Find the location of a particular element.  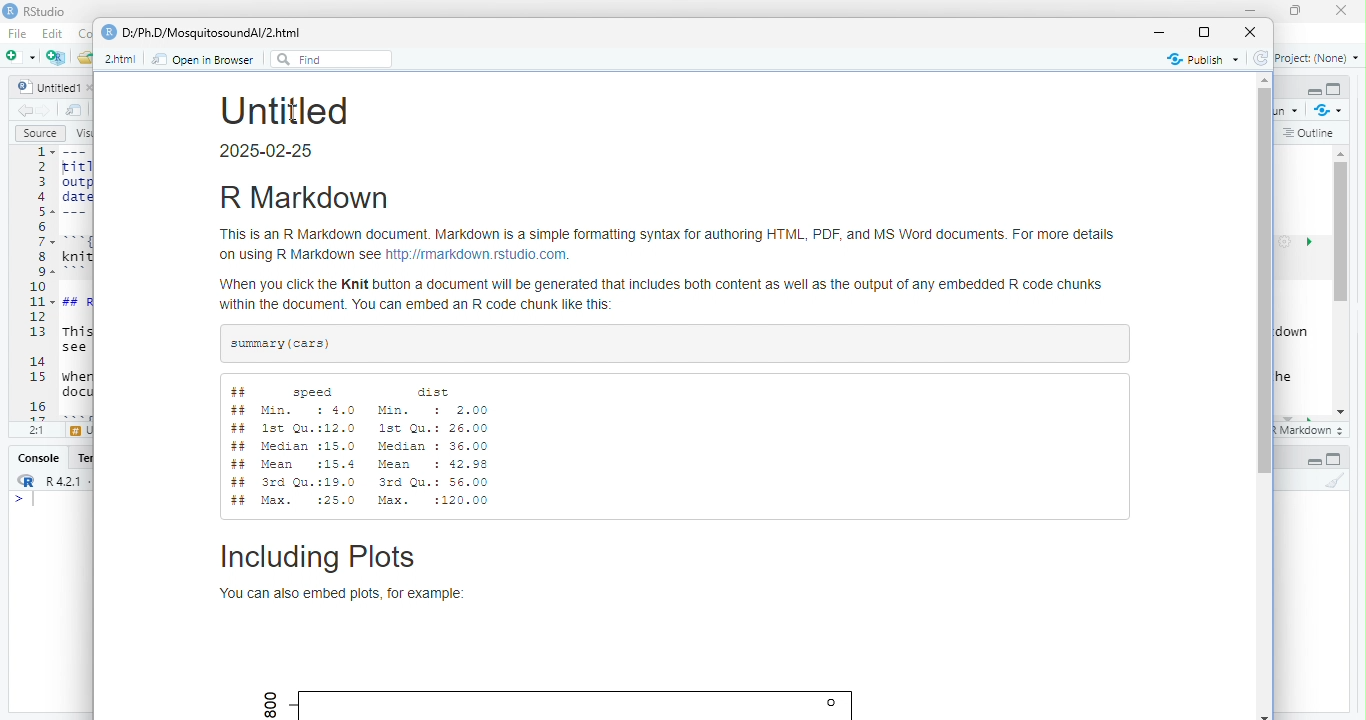

R Markdown is located at coordinates (1312, 431).